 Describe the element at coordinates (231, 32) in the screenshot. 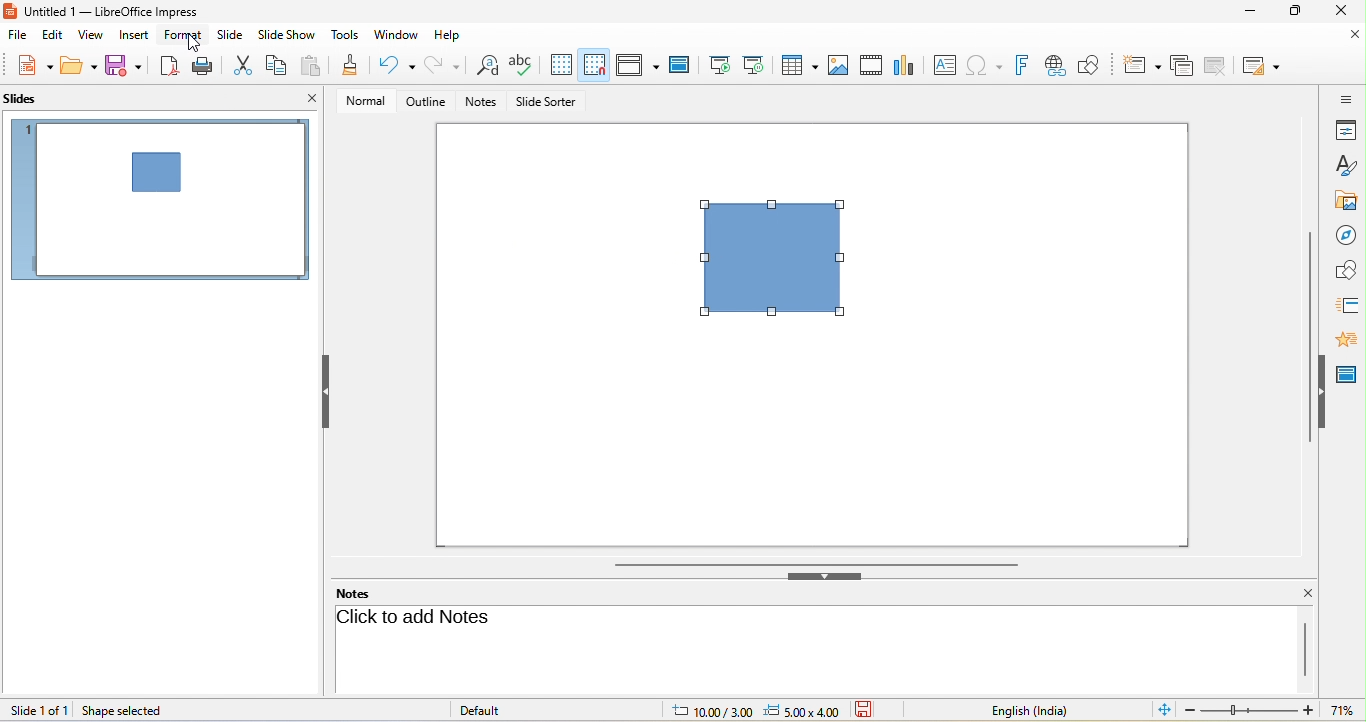

I see `slide` at that location.